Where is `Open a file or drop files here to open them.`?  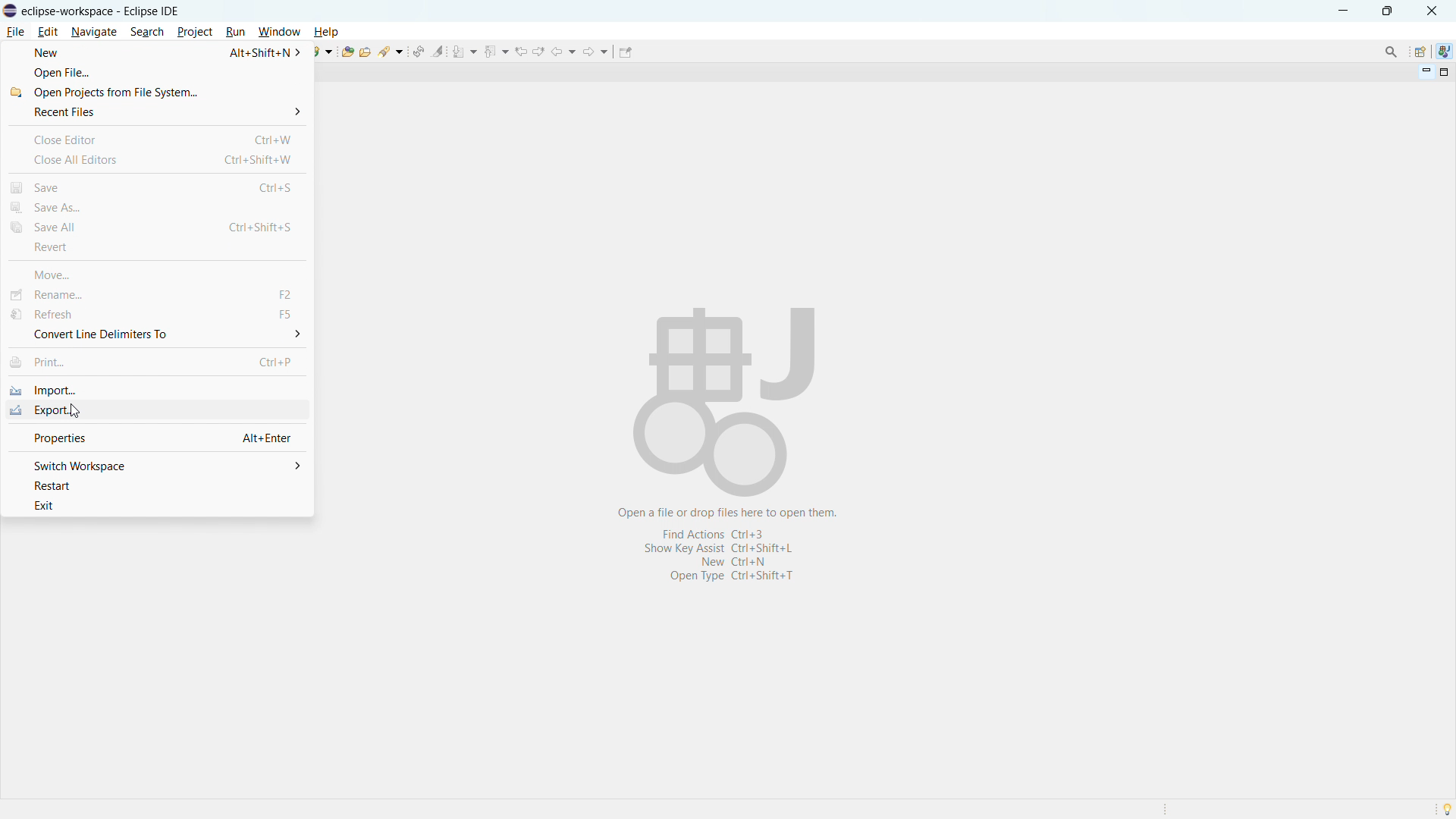 Open a file or drop files here to open them. is located at coordinates (745, 365).